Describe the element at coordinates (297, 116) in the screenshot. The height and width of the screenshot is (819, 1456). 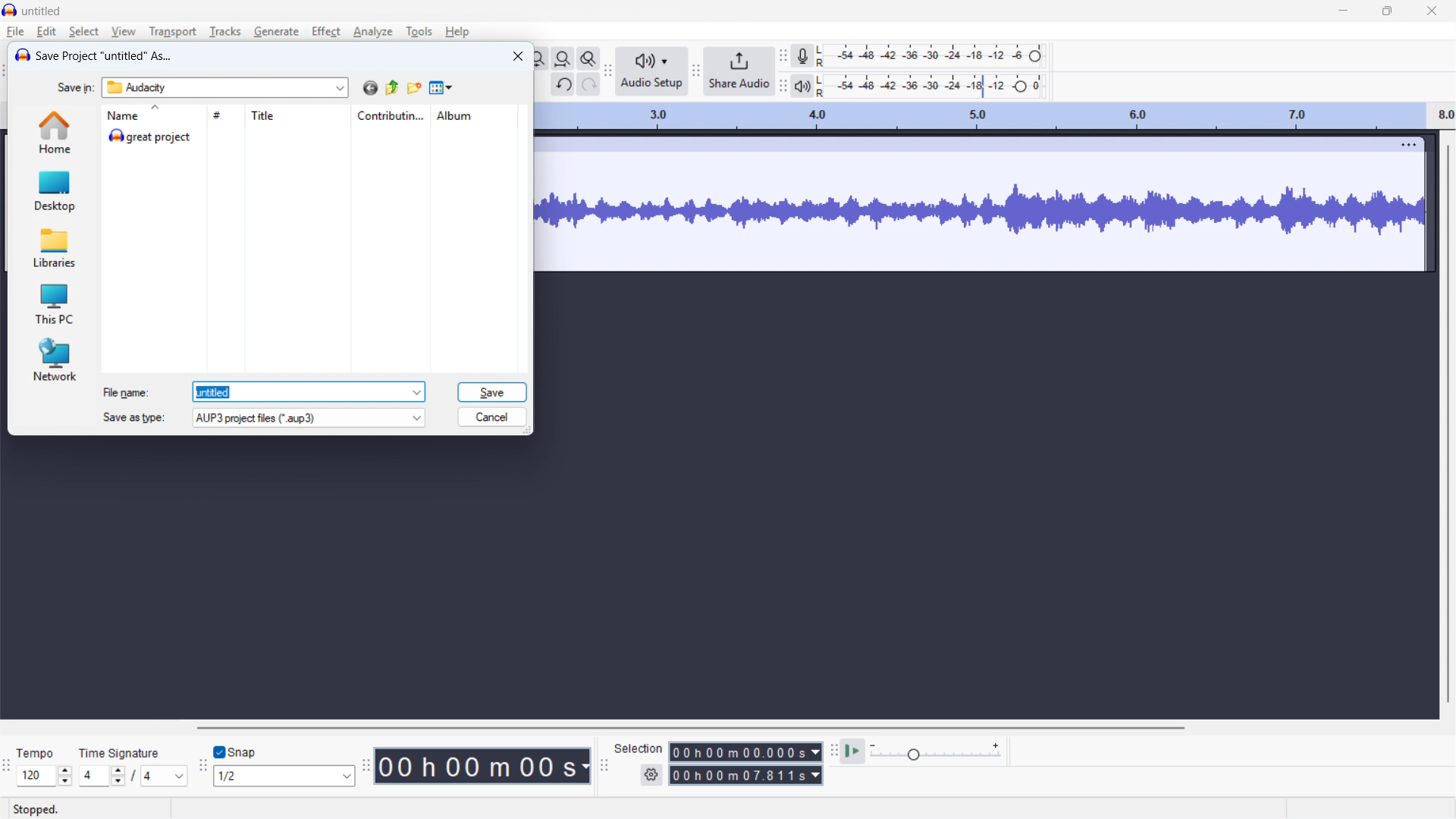
I see `title` at that location.